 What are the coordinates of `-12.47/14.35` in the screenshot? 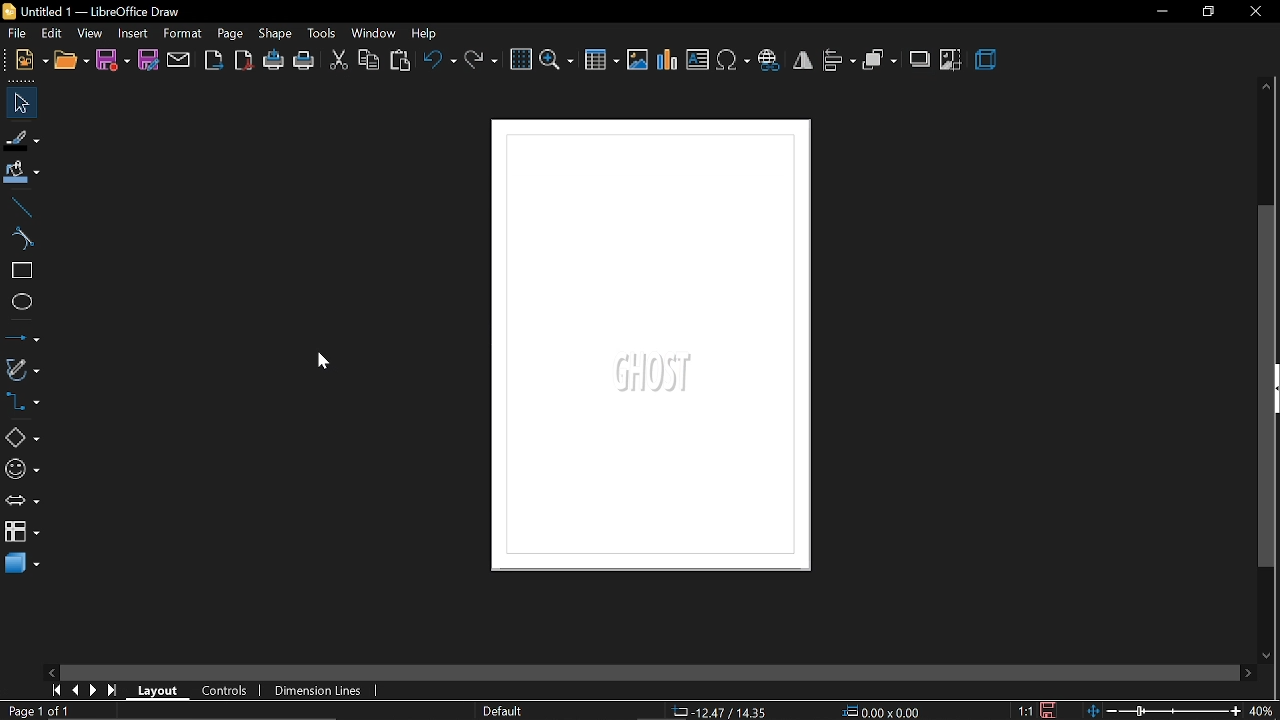 It's located at (722, 712).